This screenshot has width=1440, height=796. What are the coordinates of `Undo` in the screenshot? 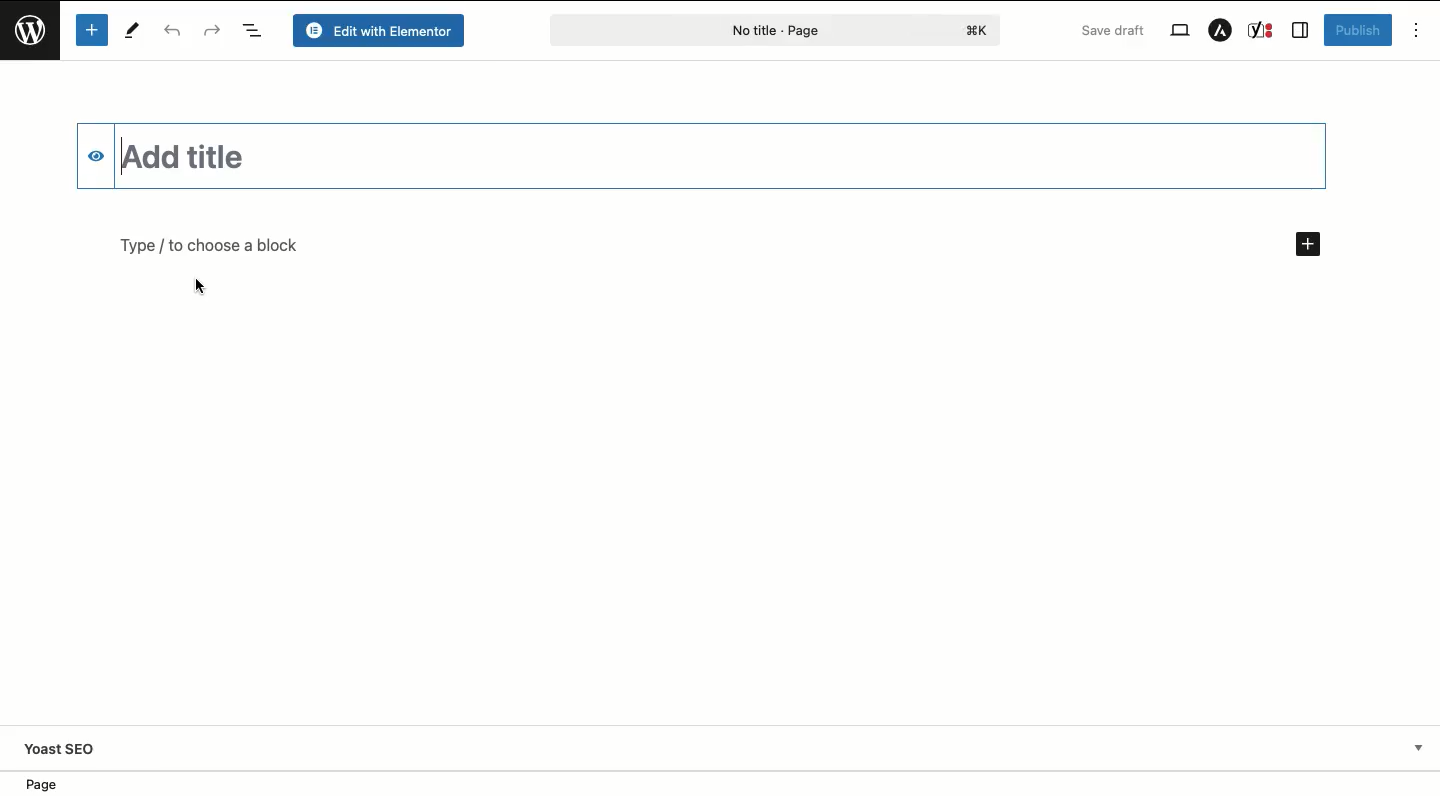 It's located at (174, 33).